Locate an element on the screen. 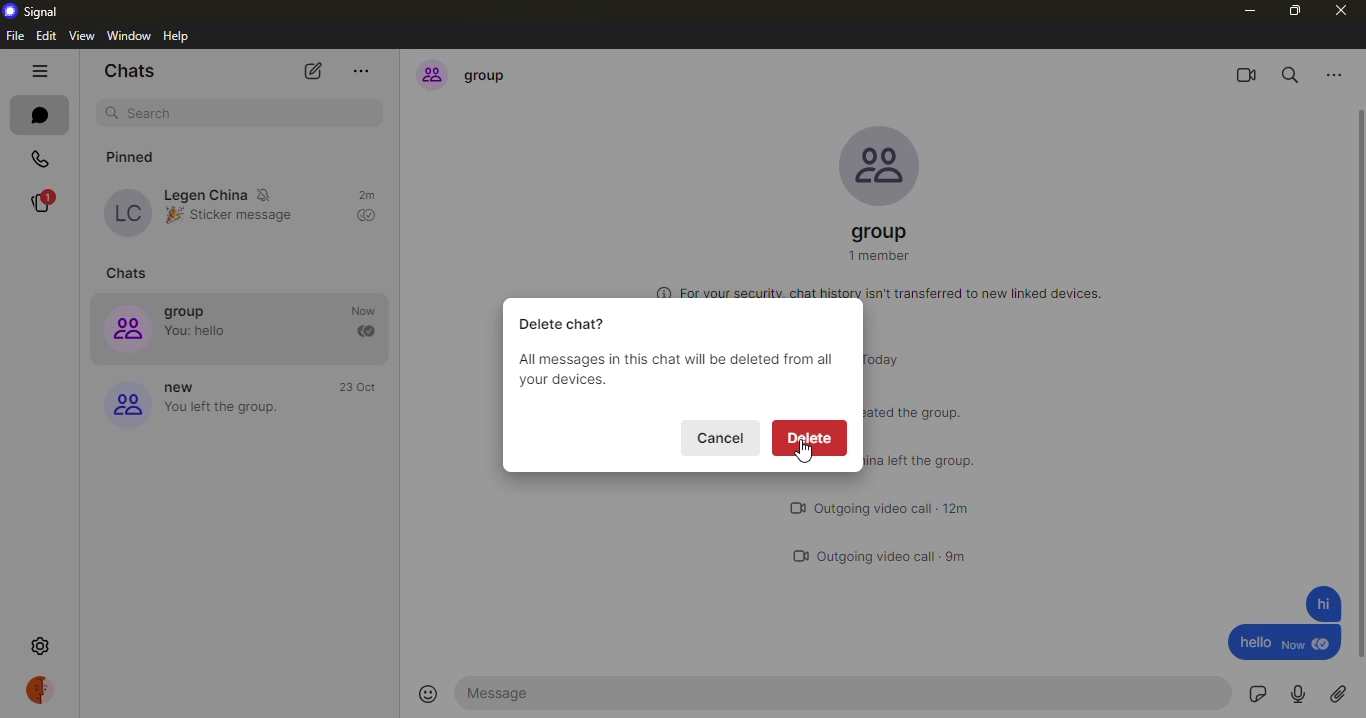 Image resolution: width=1366 pixels, height=718 pixels. time is located at coordinates (366, 195).